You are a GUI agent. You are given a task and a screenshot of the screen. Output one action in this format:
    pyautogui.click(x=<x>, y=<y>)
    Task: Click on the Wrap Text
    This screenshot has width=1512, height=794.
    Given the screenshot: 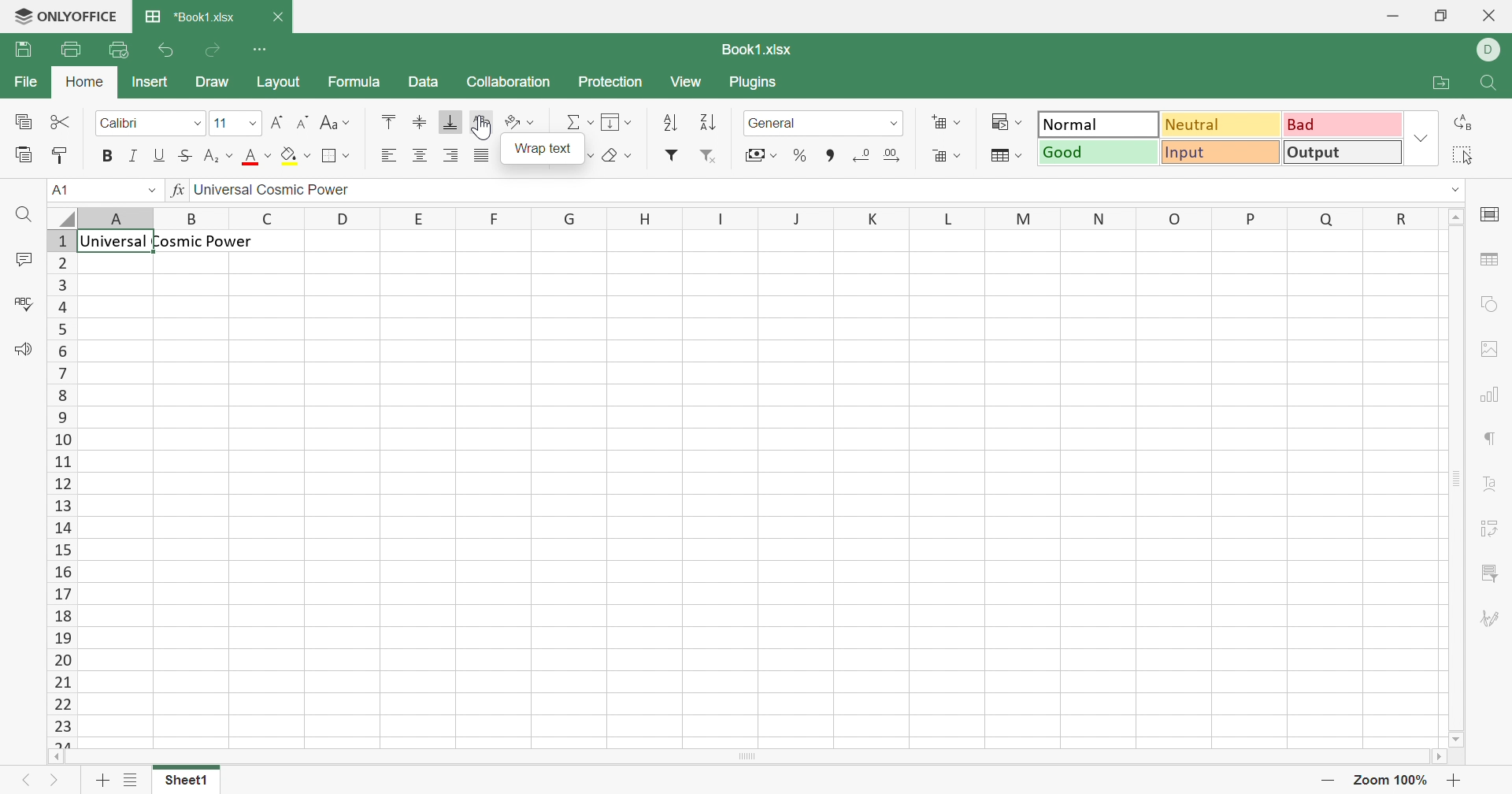 What is the action you would take?
    pyautogui.click(x=484, y=121)
    